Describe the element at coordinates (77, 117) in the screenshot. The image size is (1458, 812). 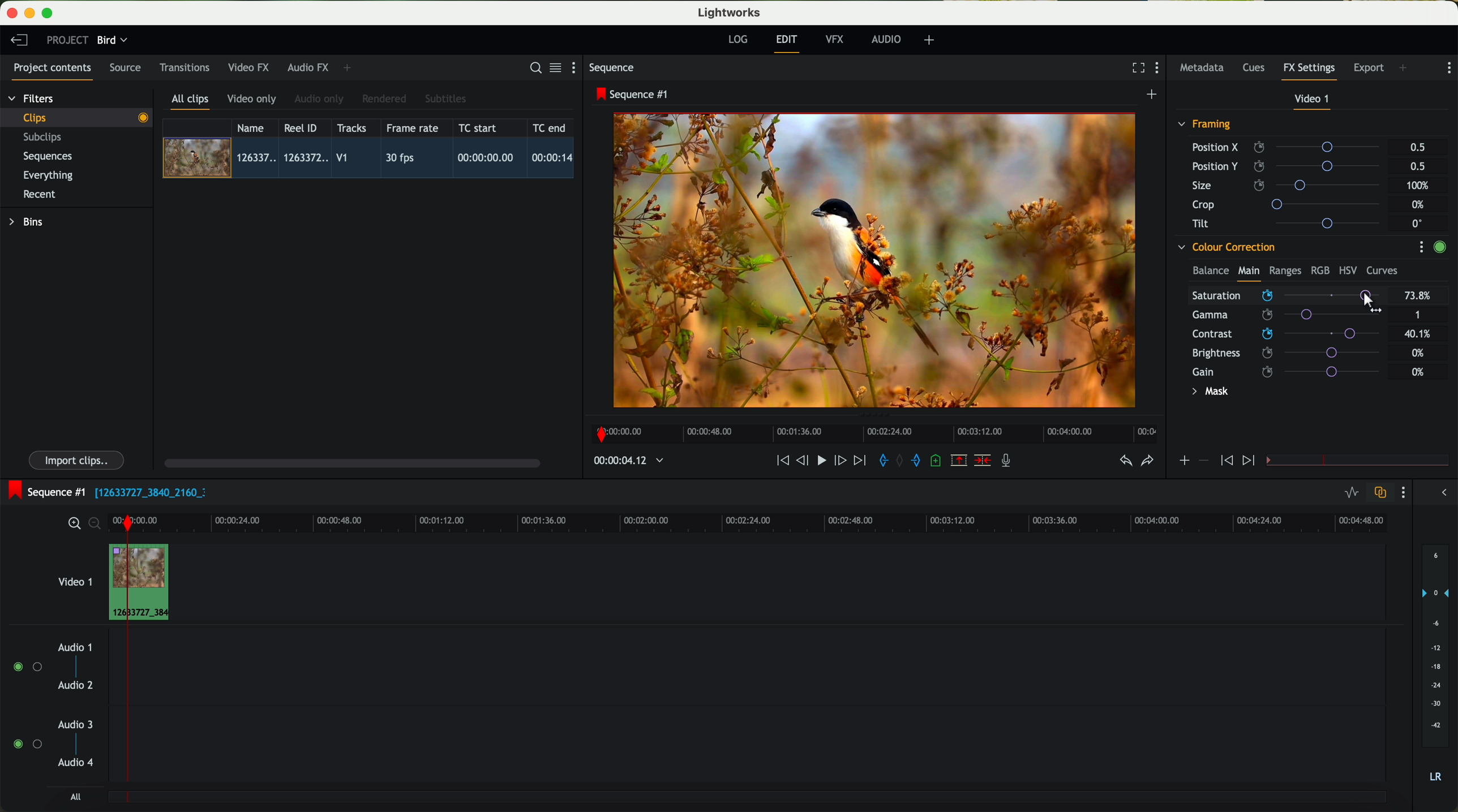
I see `clips` at that location.